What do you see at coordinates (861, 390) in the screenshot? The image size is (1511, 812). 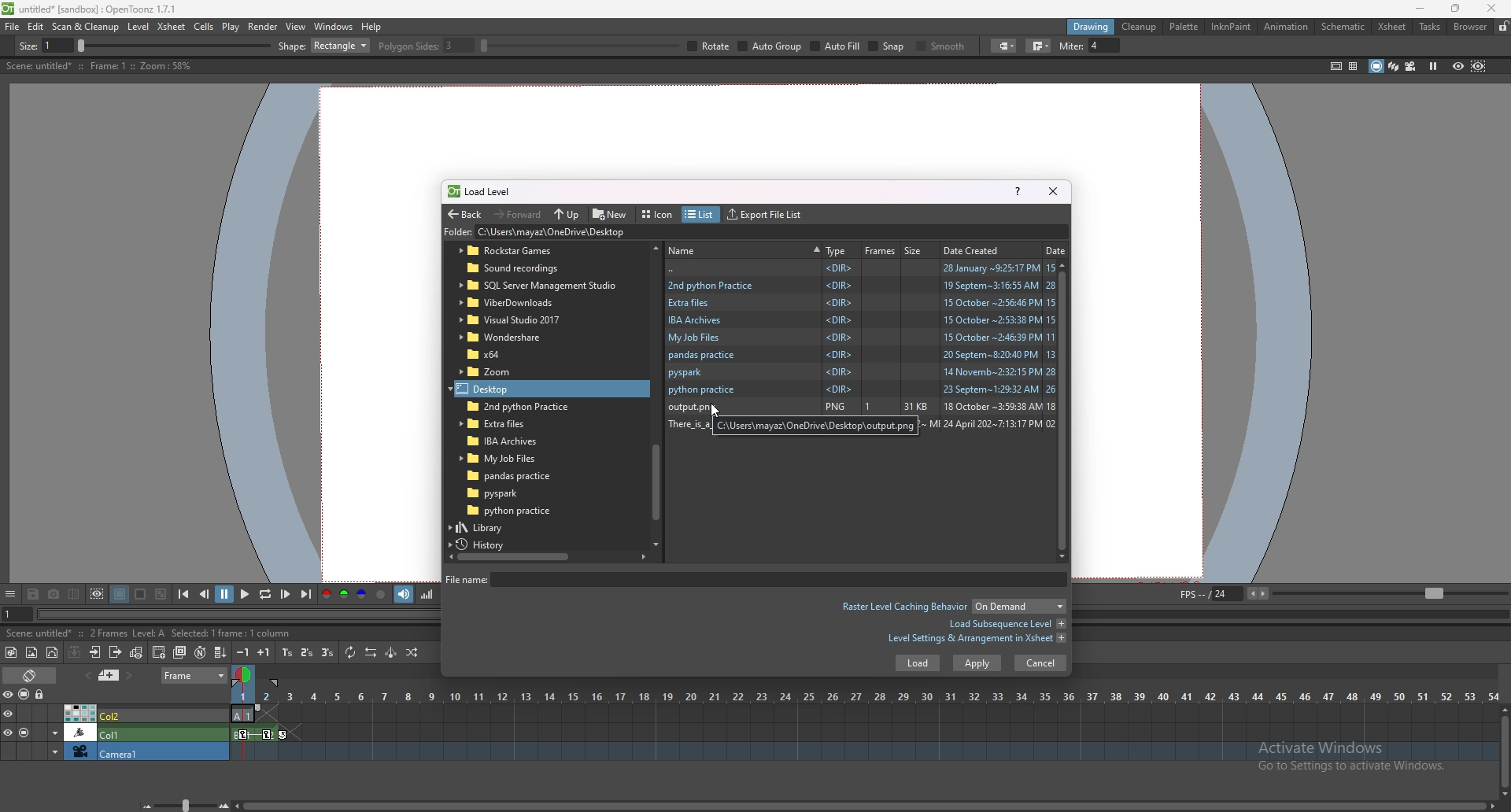 I see `folder` at bounding box center [861, 390].